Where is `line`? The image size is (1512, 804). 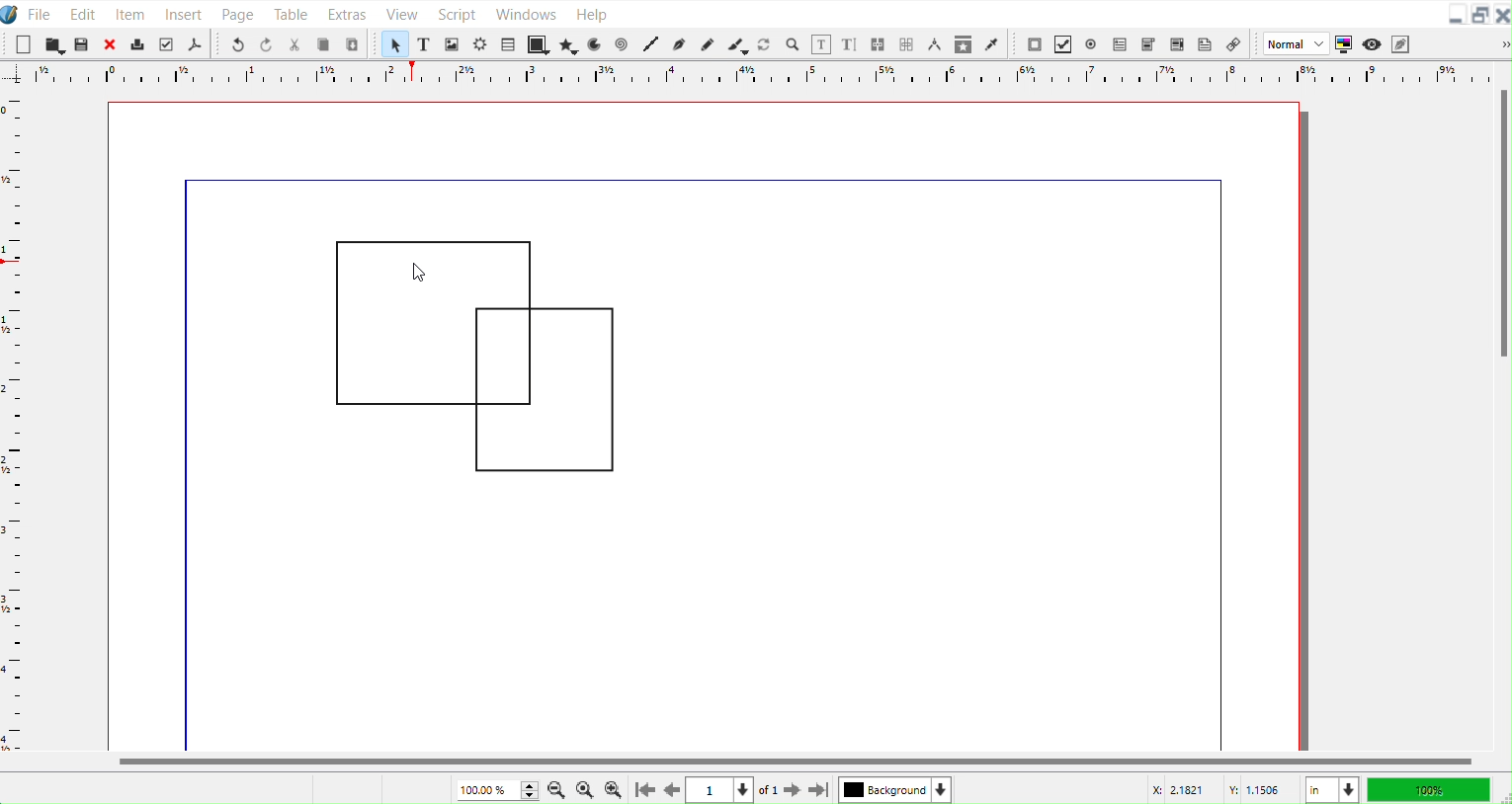
line is located at coordinates (191, 470).